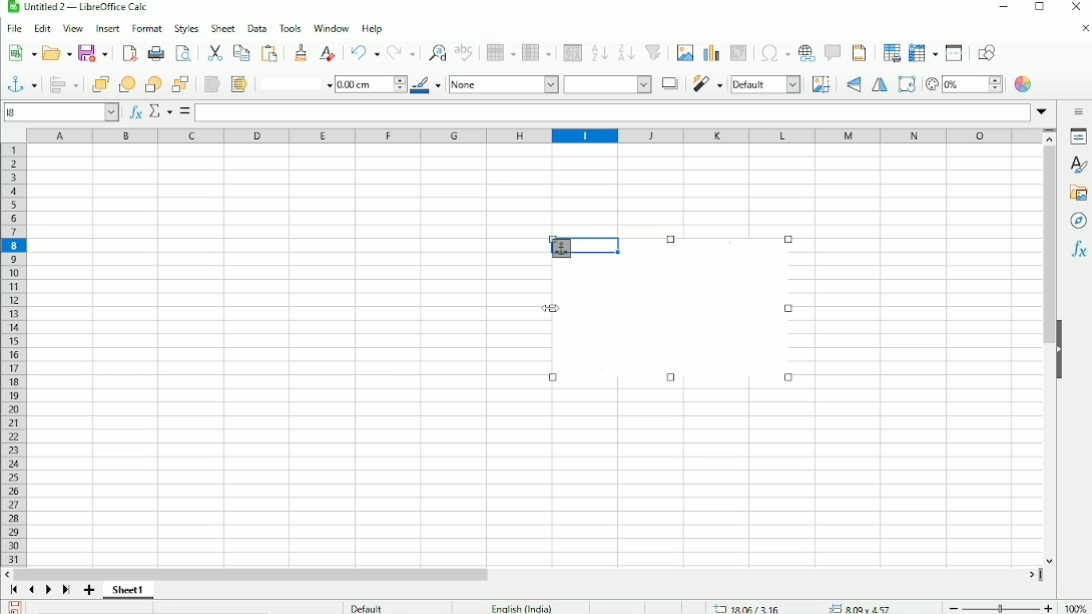 This screenshot has height=614, width=1092. I want to click on Crop image, so click(821, 84).